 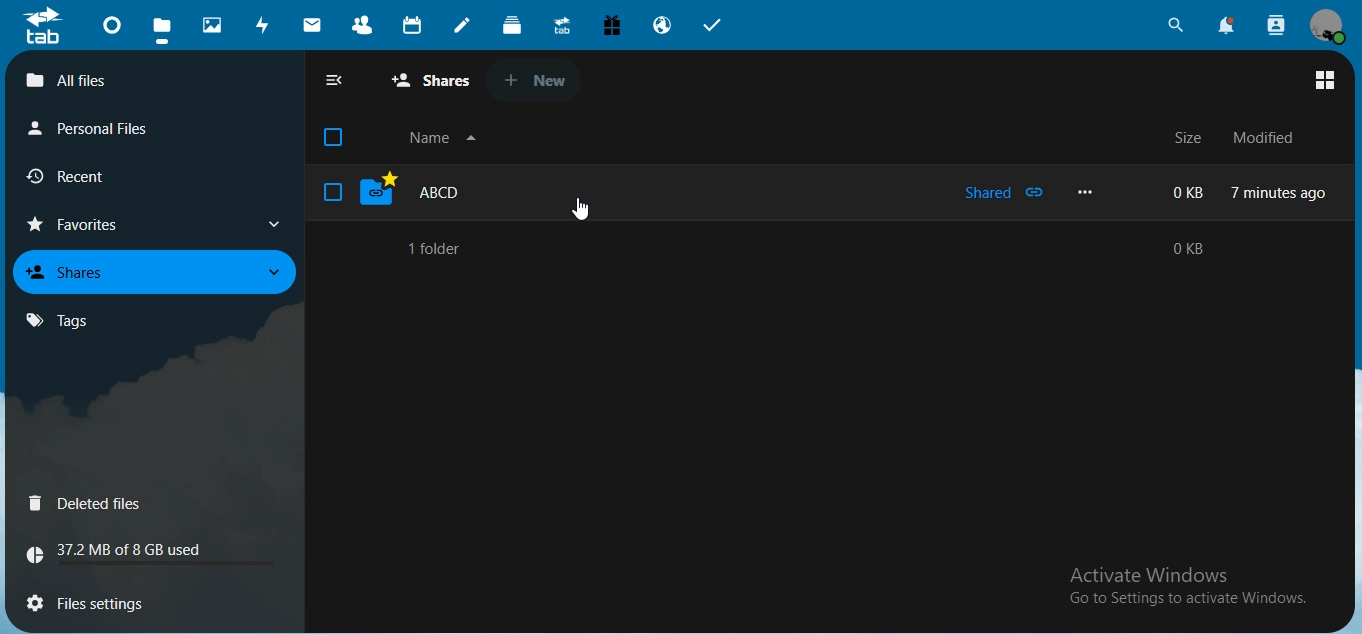 I want to click on shares, so click(x=75, y=271).